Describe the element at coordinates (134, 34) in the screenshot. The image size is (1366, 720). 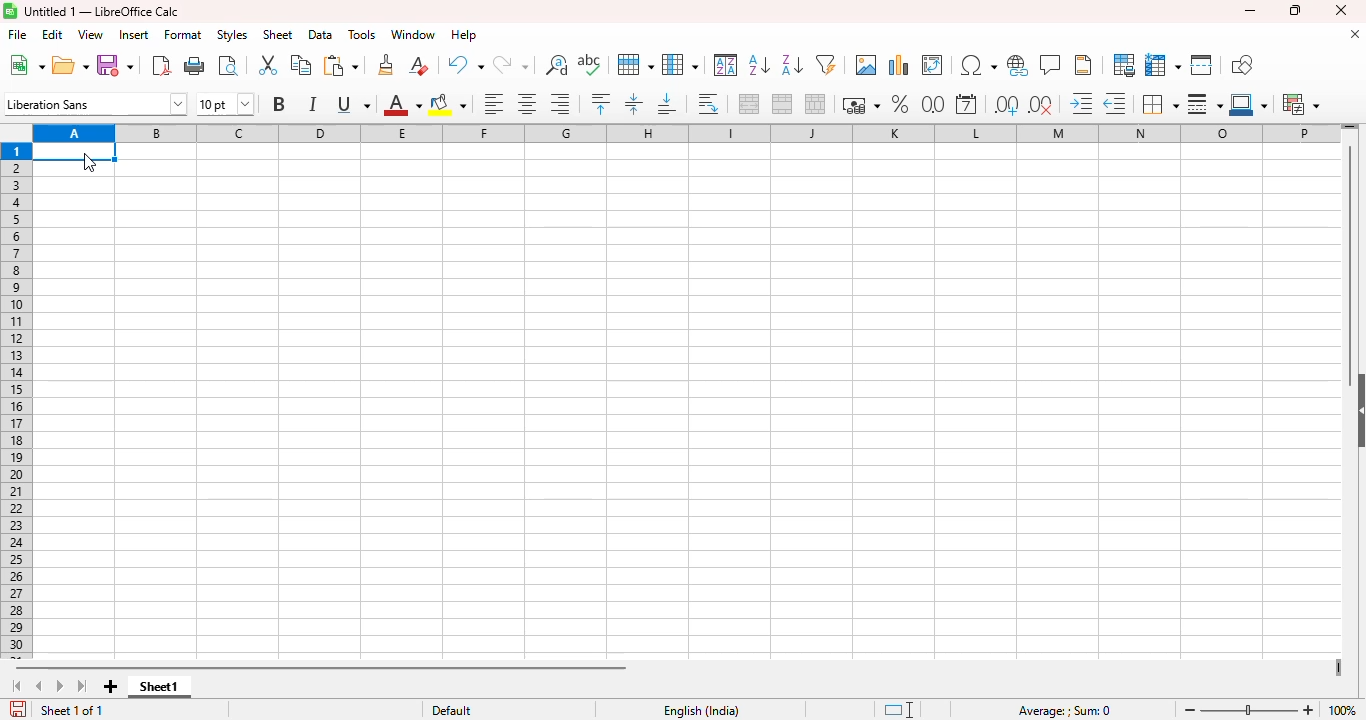
I see `insert` at that location.